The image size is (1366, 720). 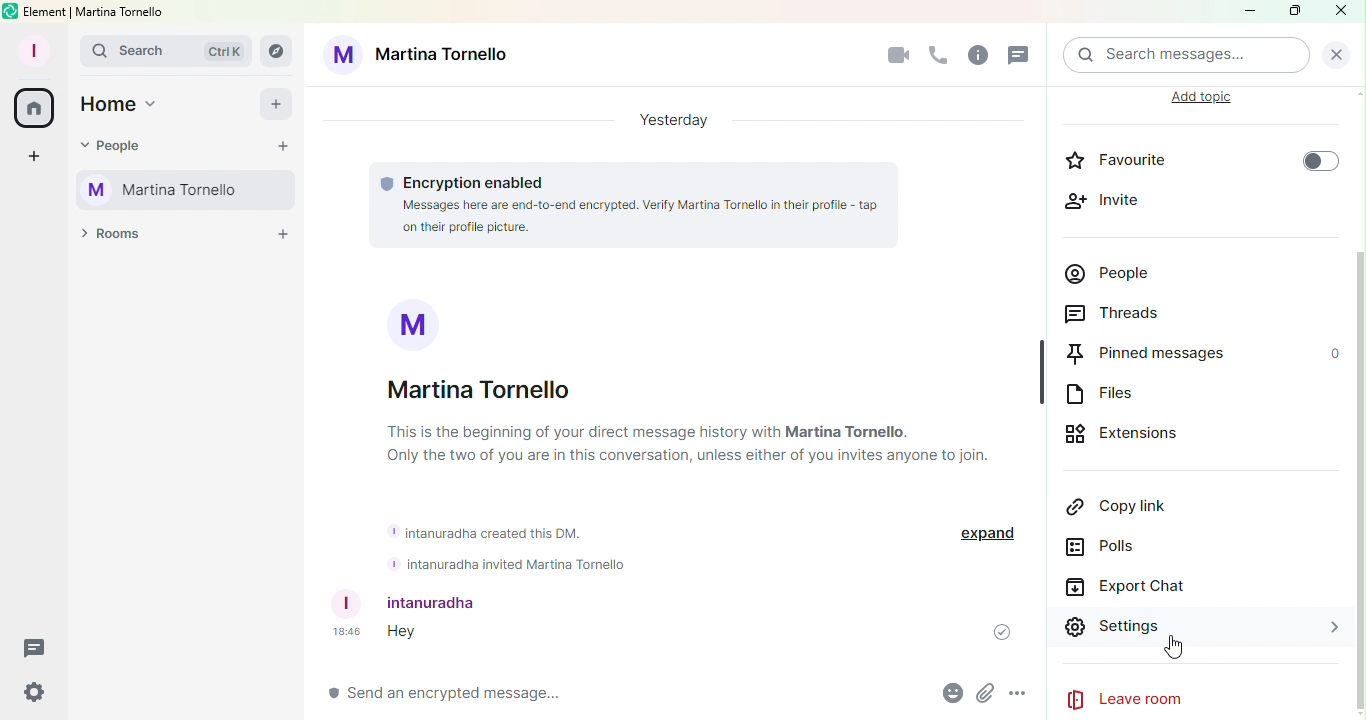 What do you see at coordinates (345, 632) in the screenshot?
I see `18:46` at bounding box center [345, 632].